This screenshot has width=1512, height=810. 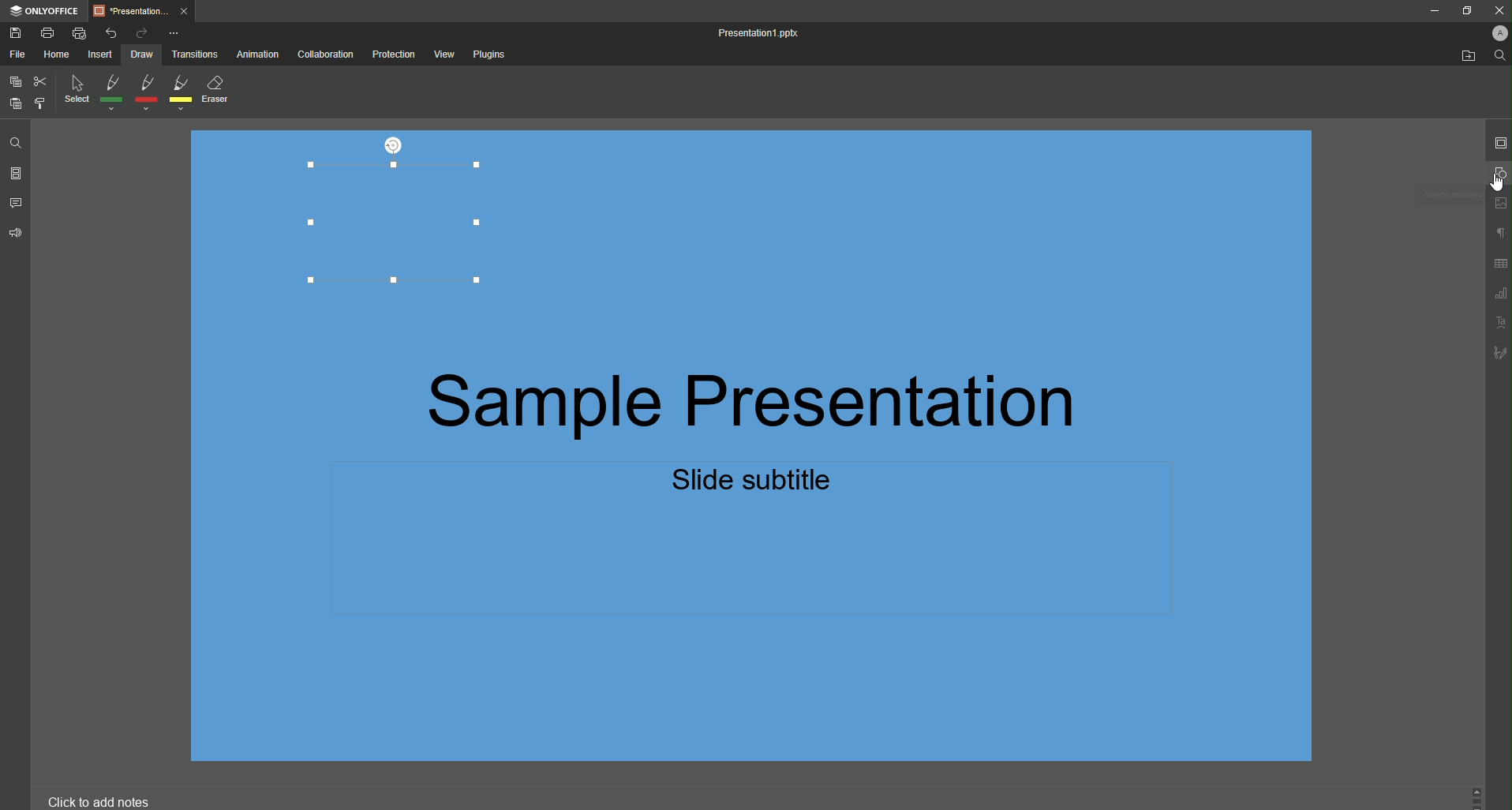 What do you see at coordinates (13, 141) in the screenshot?
I see `Find` at bounding box center [13, 141].